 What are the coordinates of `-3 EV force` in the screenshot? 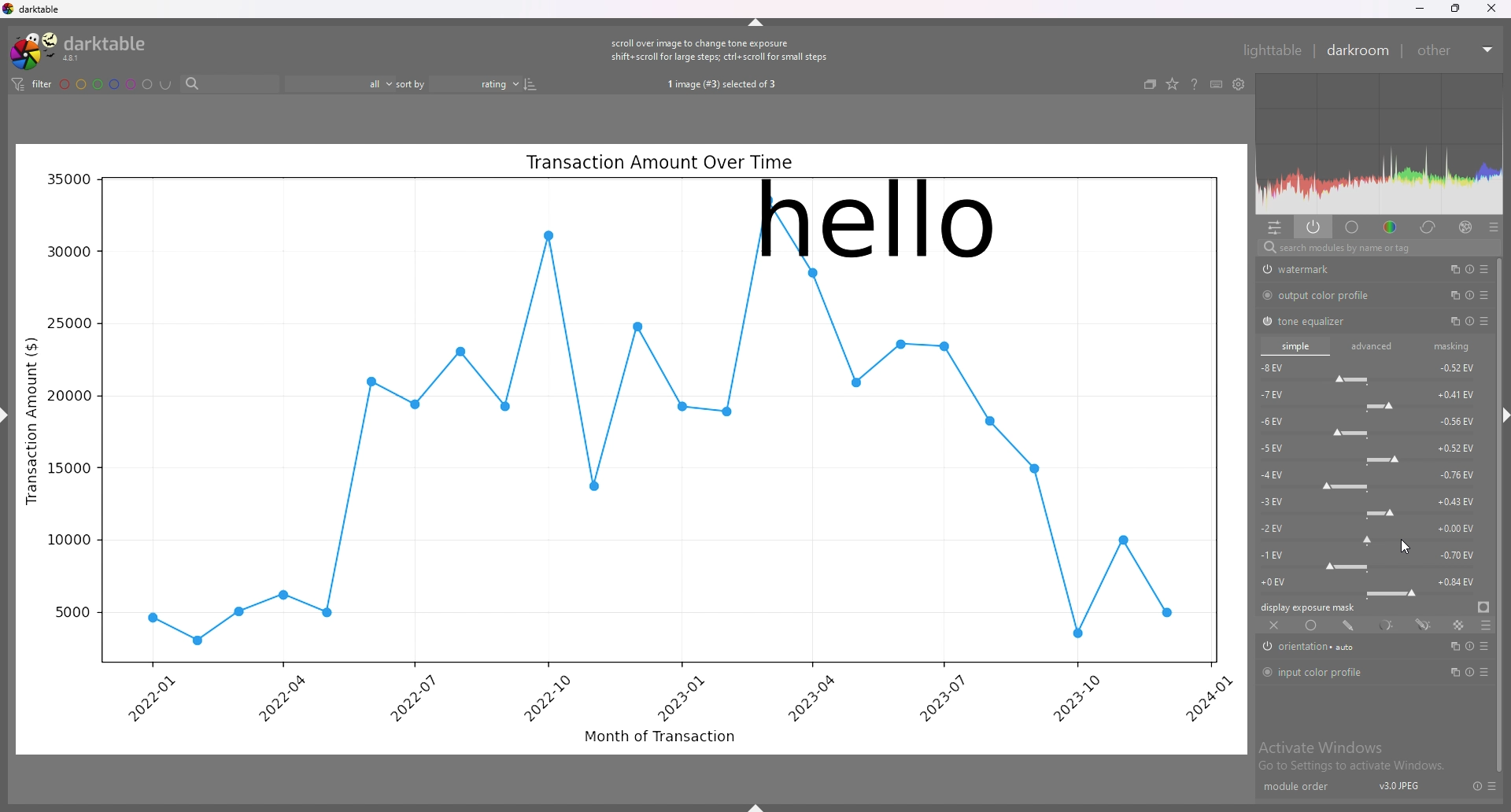 It's located at (1375, 505).